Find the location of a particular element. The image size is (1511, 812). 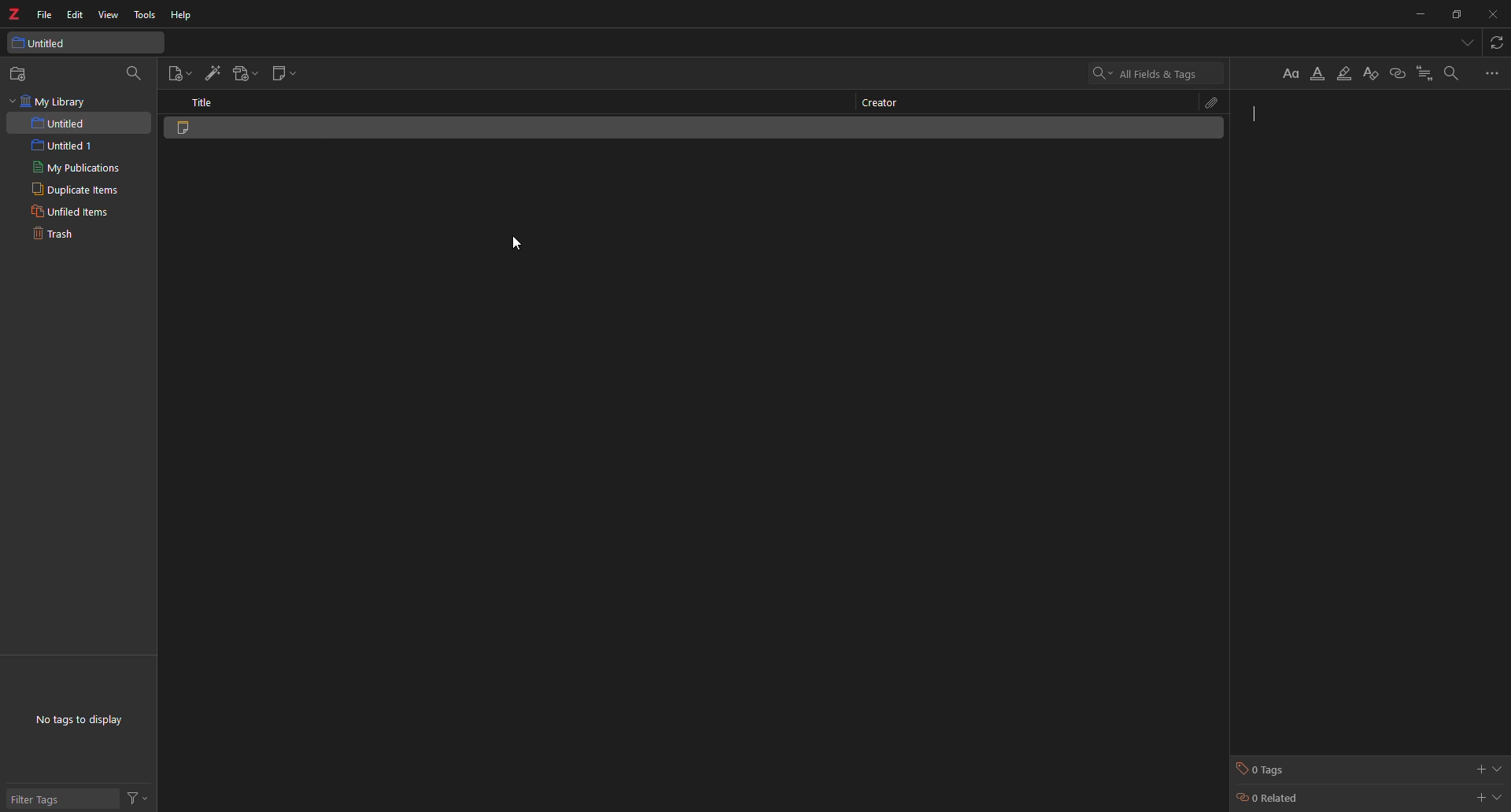

add is located at coordinates (1481, 770).